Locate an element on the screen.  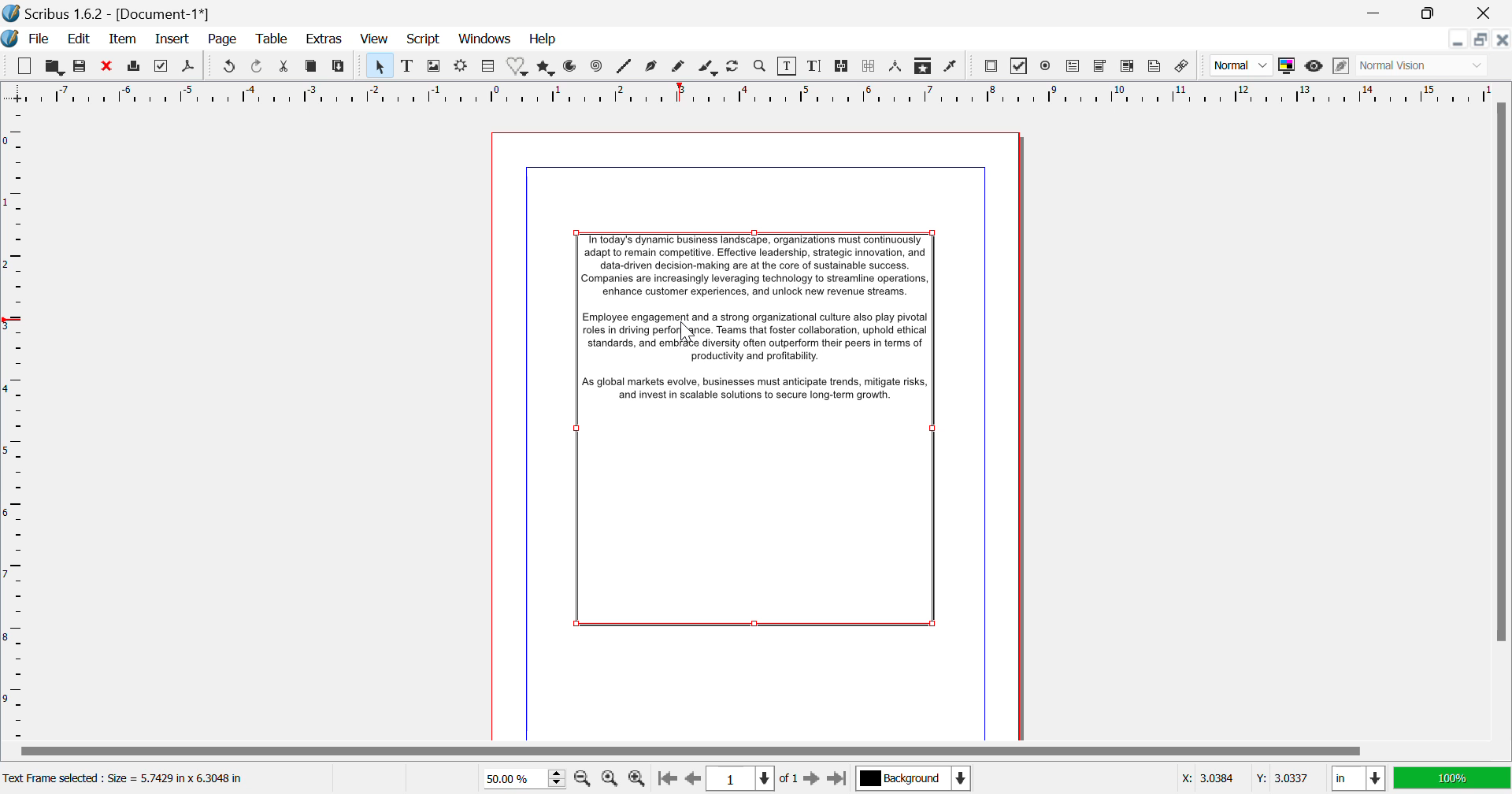
Scribus Logo is located at coordinates (9, 39).